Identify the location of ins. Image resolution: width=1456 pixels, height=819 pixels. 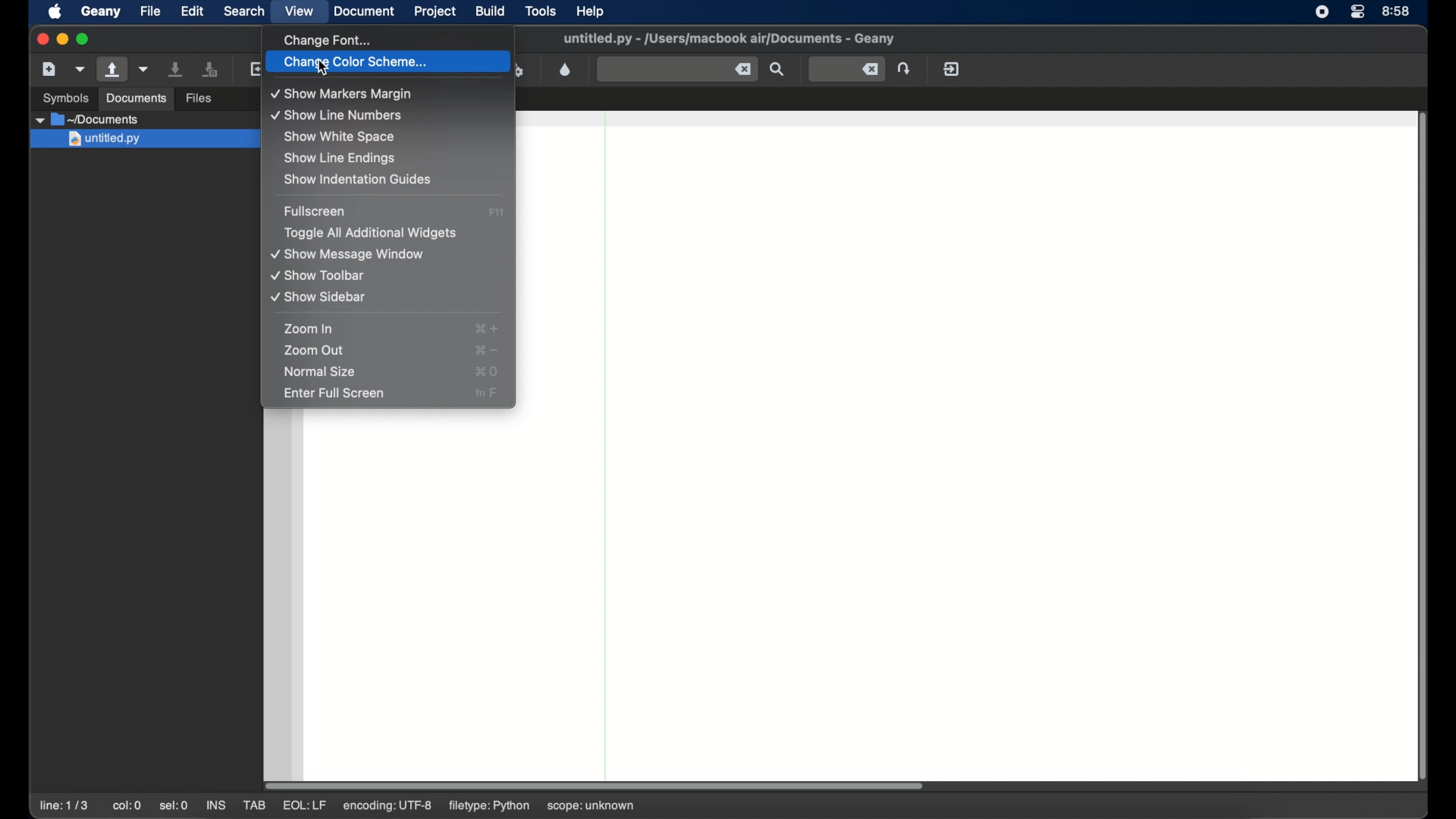
(215, 805).